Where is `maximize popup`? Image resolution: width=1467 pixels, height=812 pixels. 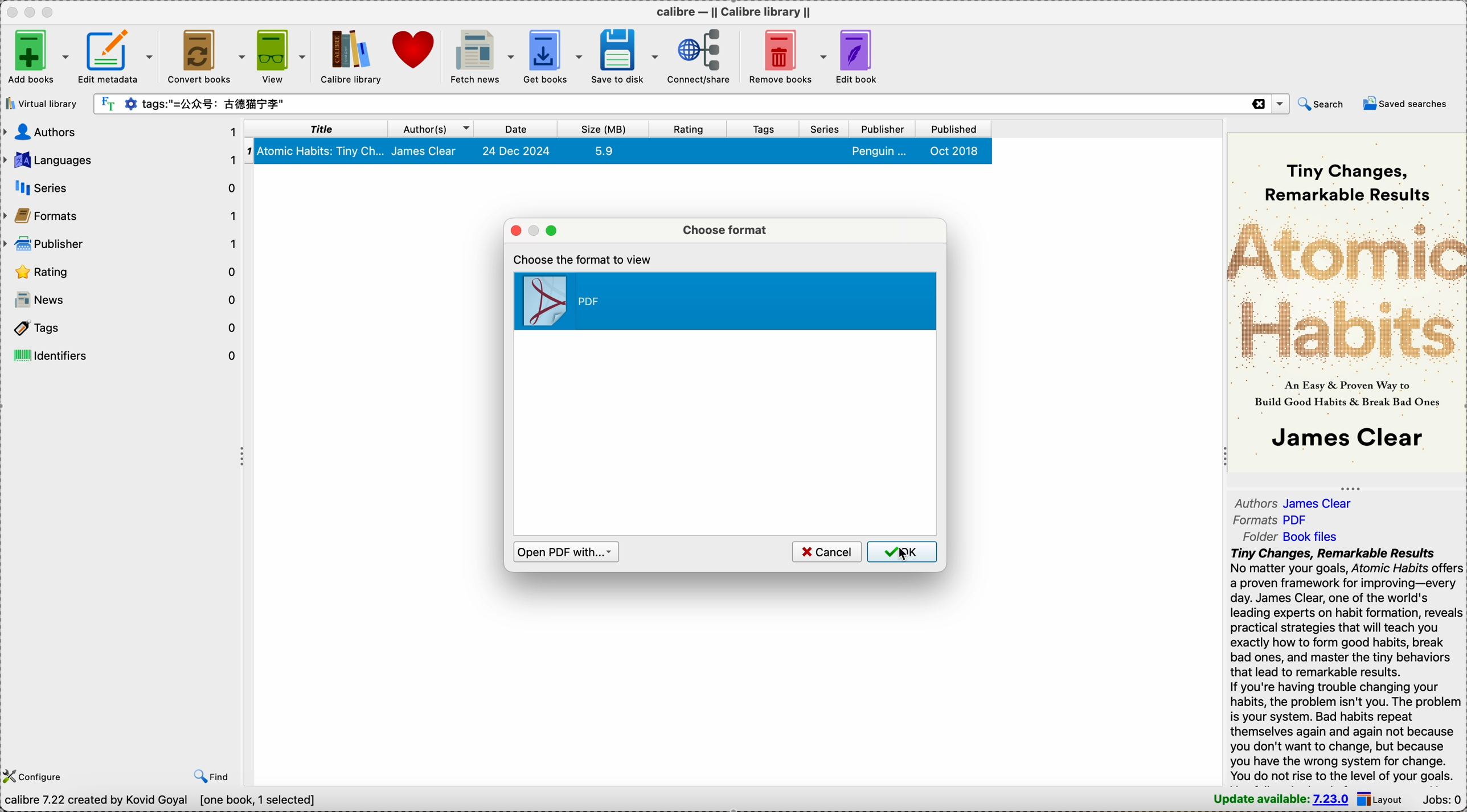 maximize popup is located at coordinates (556, 230).